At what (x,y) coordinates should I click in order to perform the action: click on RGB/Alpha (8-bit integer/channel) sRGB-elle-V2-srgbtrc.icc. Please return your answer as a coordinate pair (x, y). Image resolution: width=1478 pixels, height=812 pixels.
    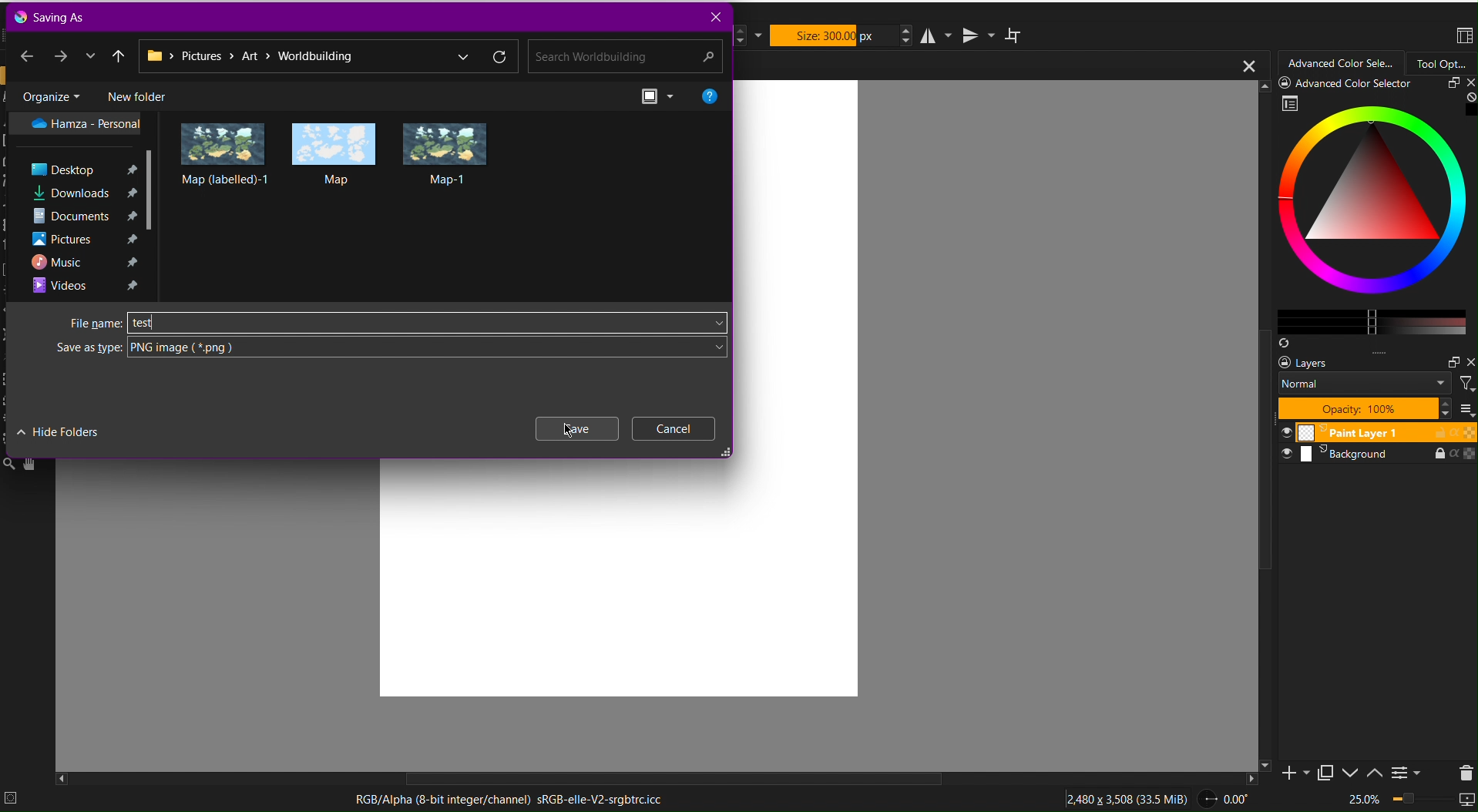
    Looking at the image, I should click on (508, 800).